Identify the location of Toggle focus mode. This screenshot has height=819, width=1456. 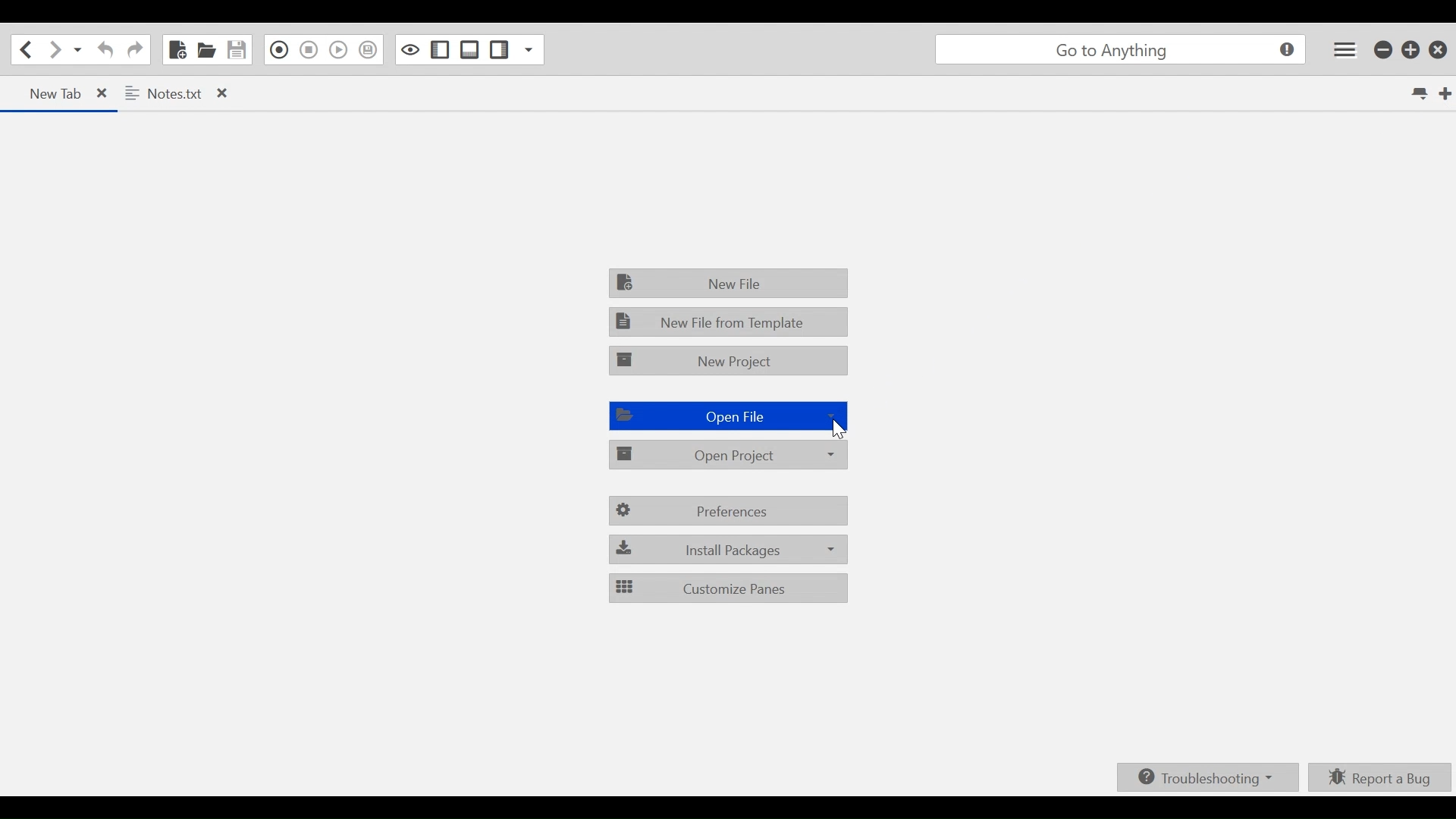
(410, 50).